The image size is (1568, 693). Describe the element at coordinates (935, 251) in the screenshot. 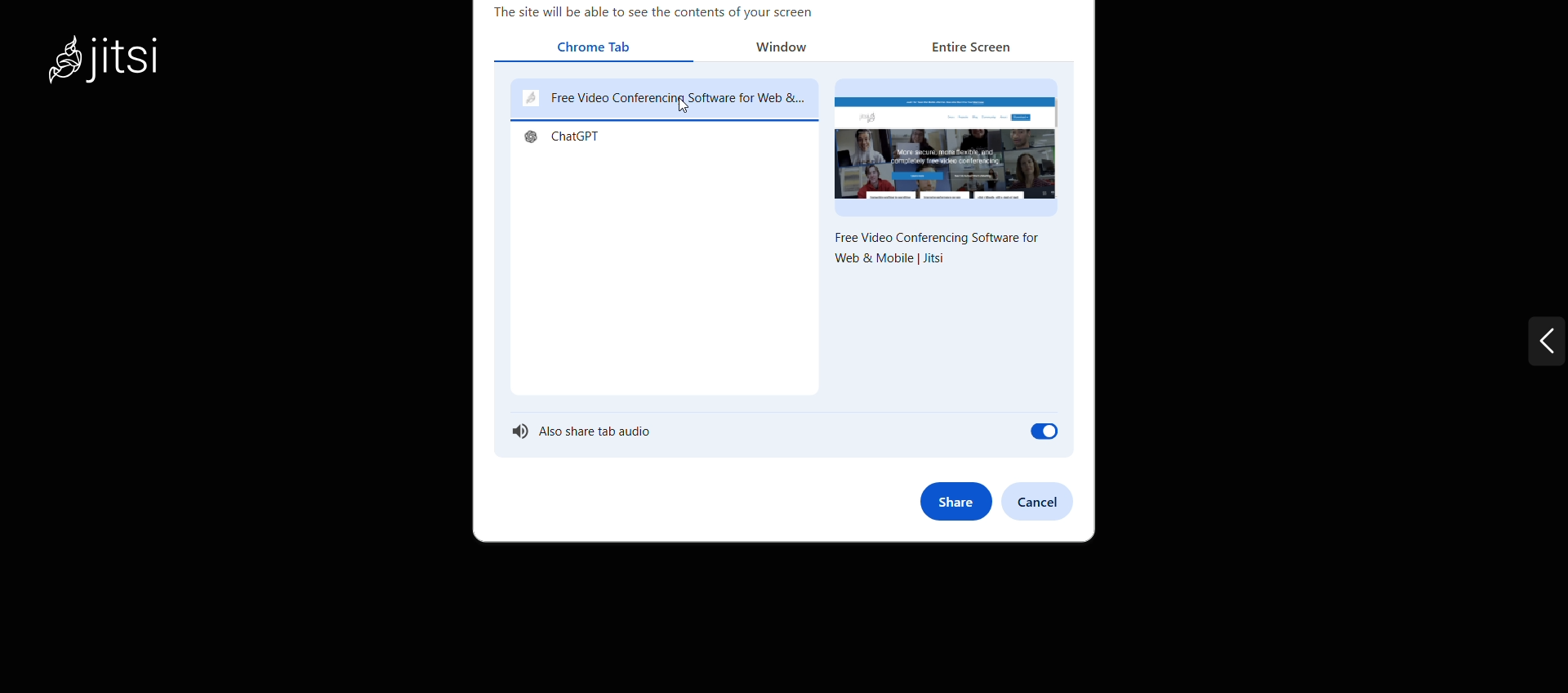

I see `Free Video Conferencing Software for
Web & Mobile | Jitsi` at that location.